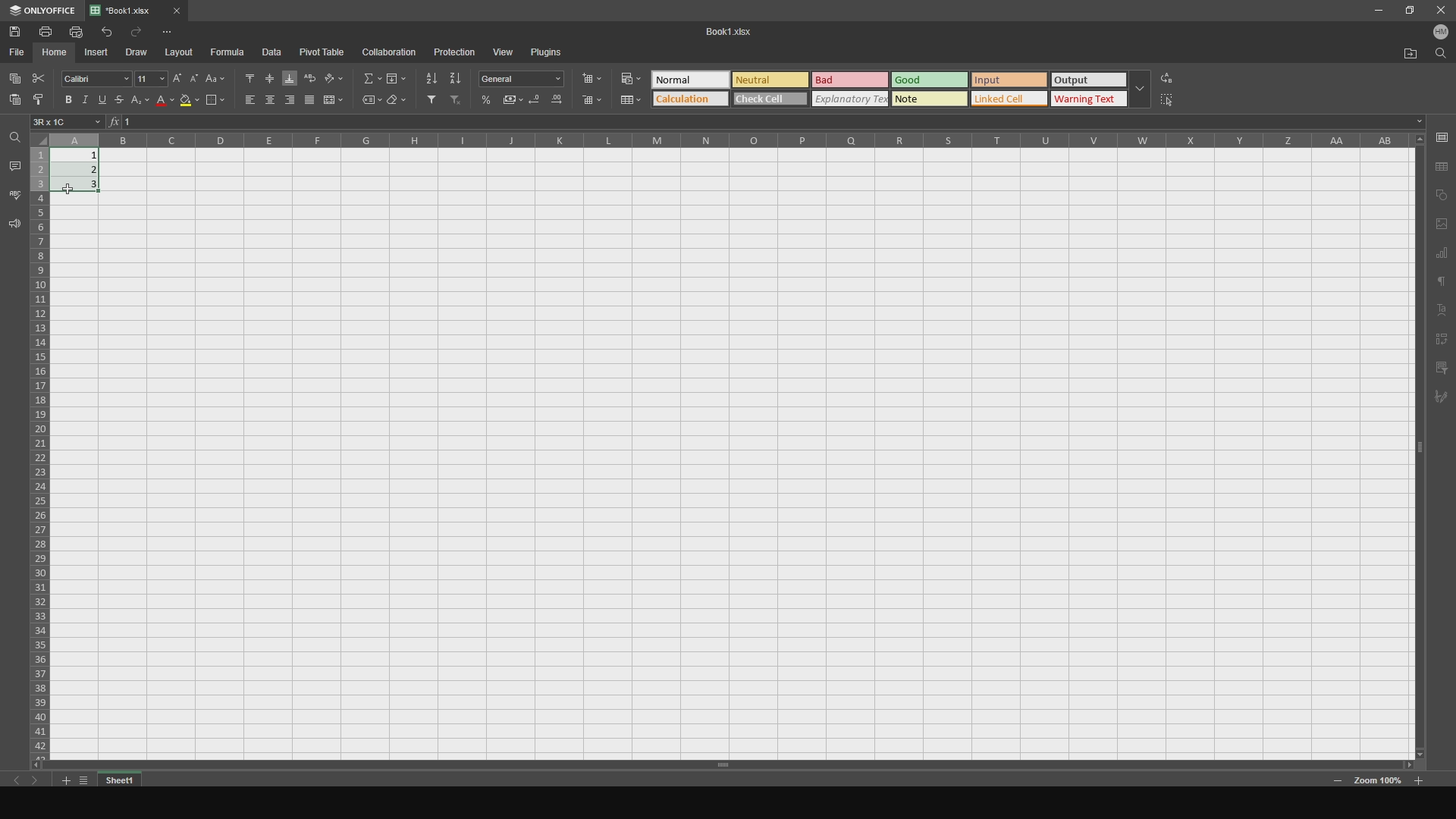 Image resolution: width=1456 pixels, height=819 pixels. I want to click on text, so click(1442, 284).